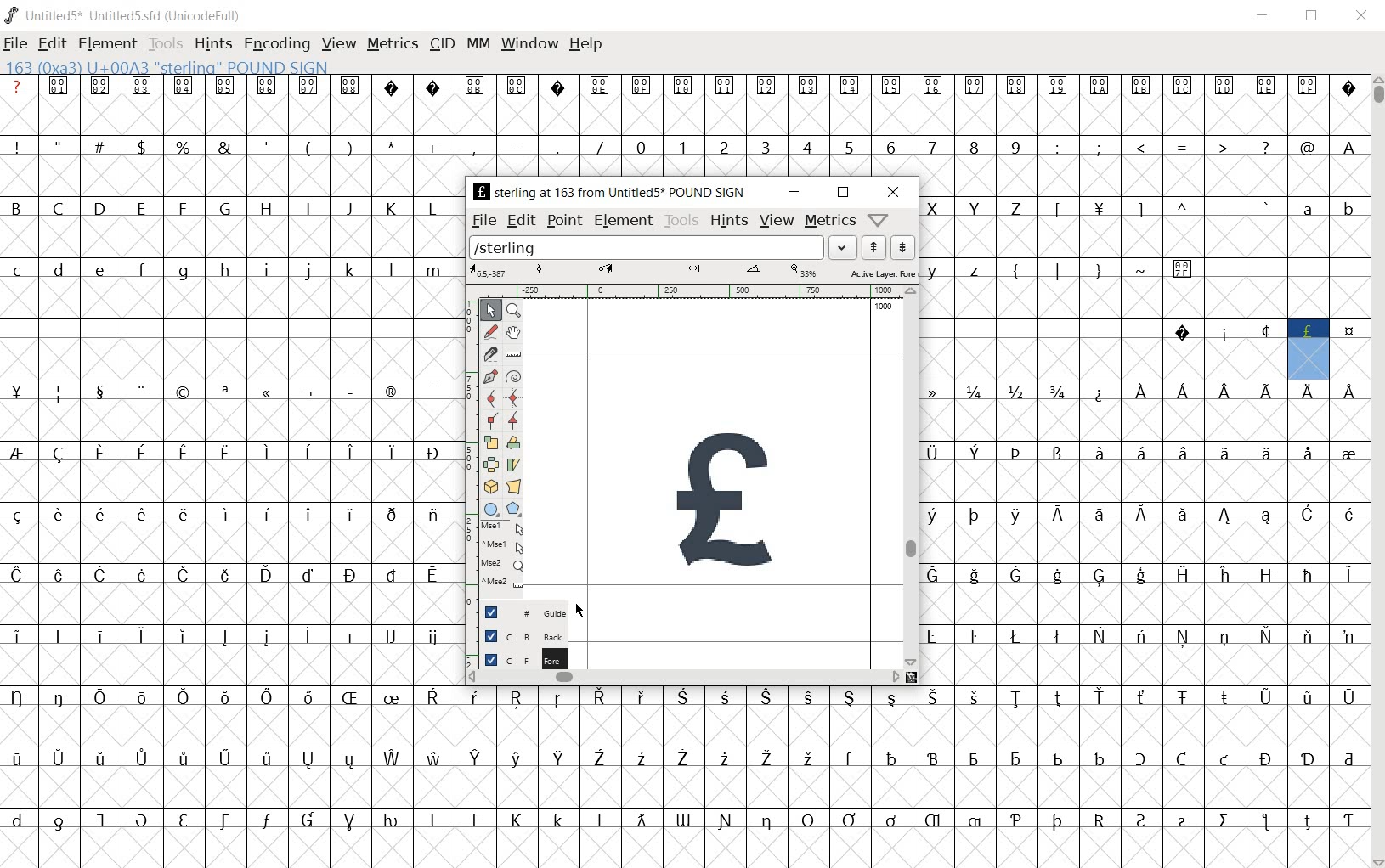  I want to click on Symbol, so click(1099, 819).